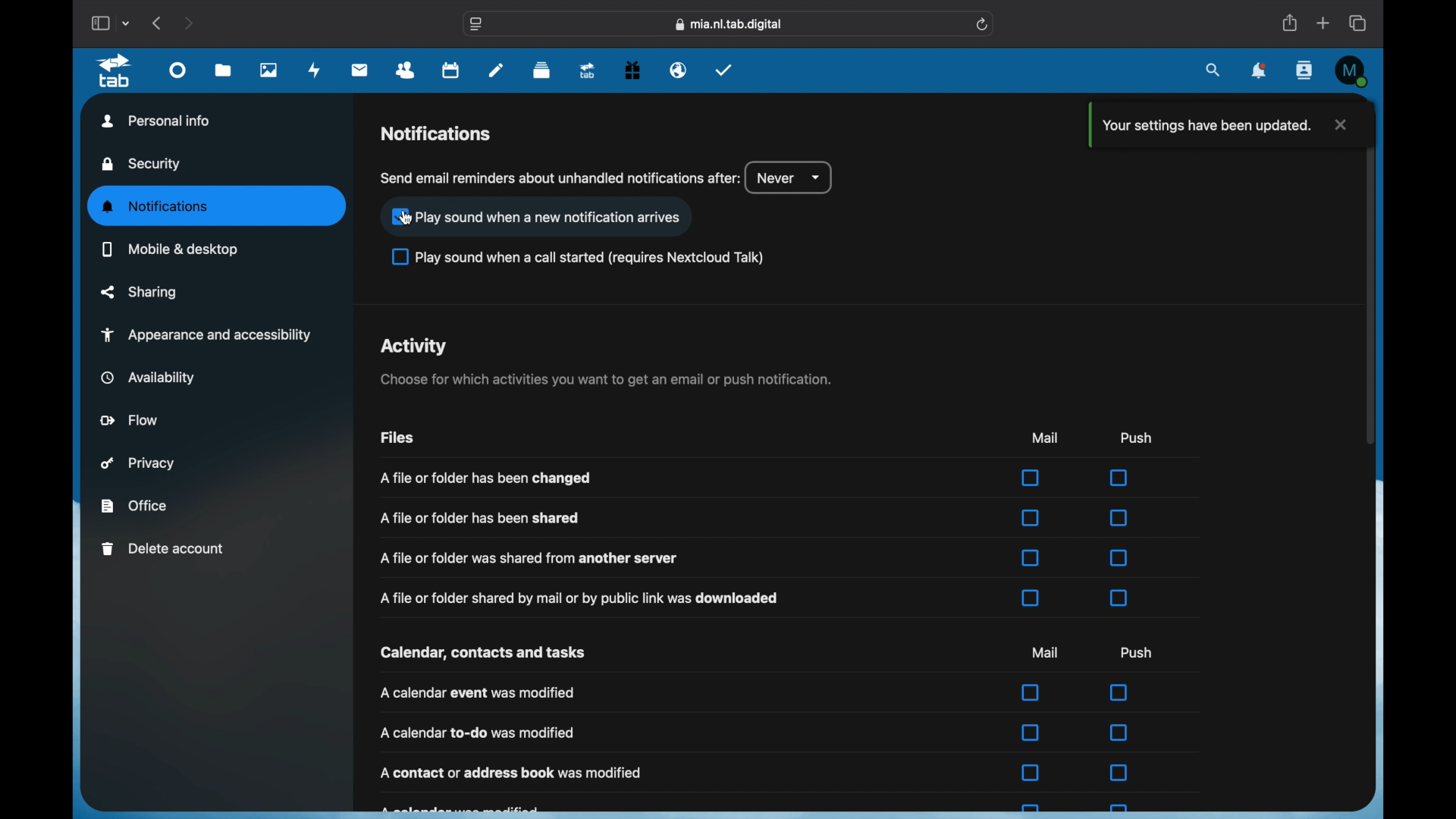 The width and height of the screenshot is (1456, 819). What do you see at coordinates (142, 165) in the screenshot?
I see `security` at bounding box center [142, 165].